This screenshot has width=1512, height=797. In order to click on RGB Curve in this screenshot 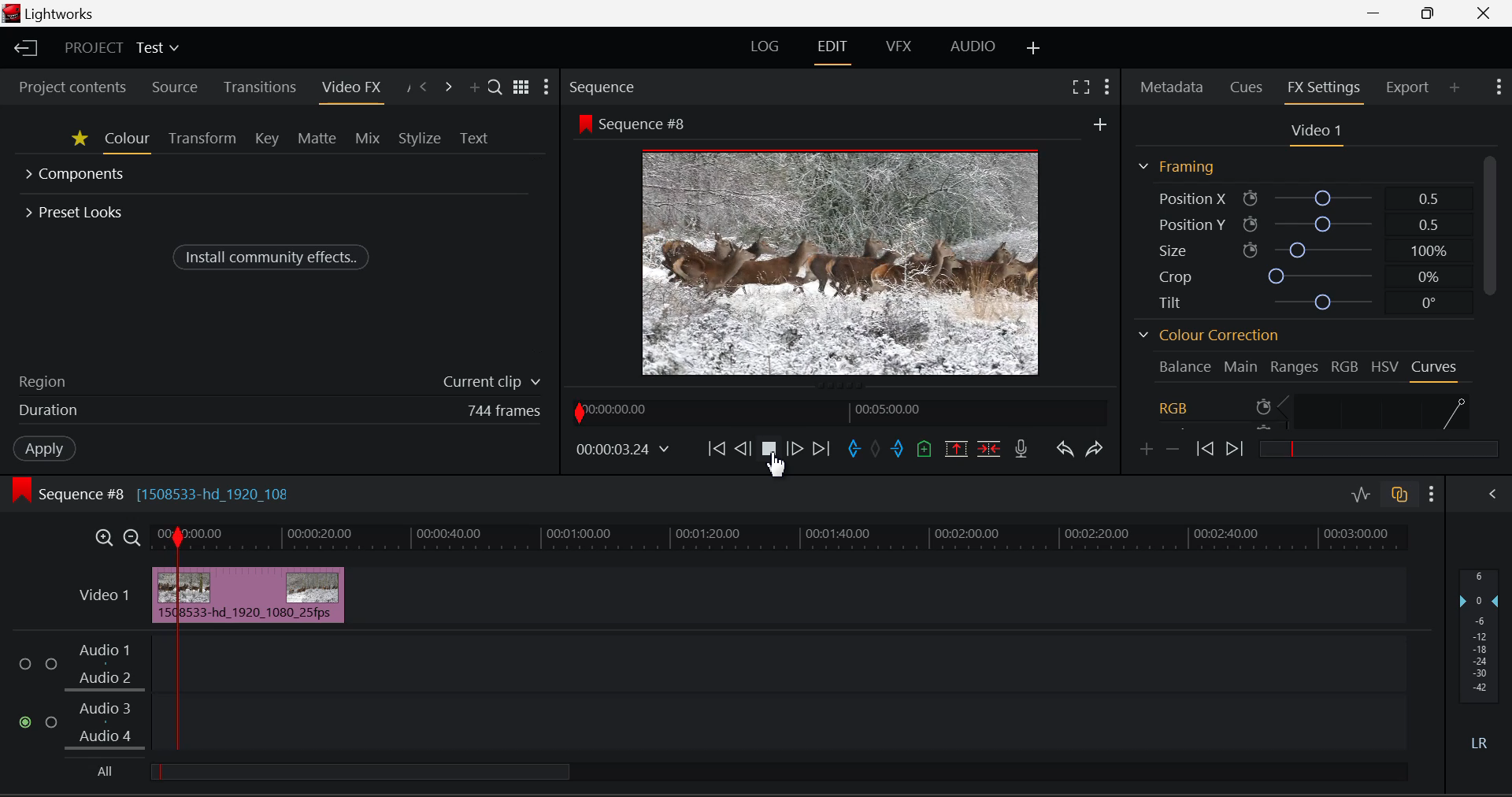, I will do `click(1314, 410)`.